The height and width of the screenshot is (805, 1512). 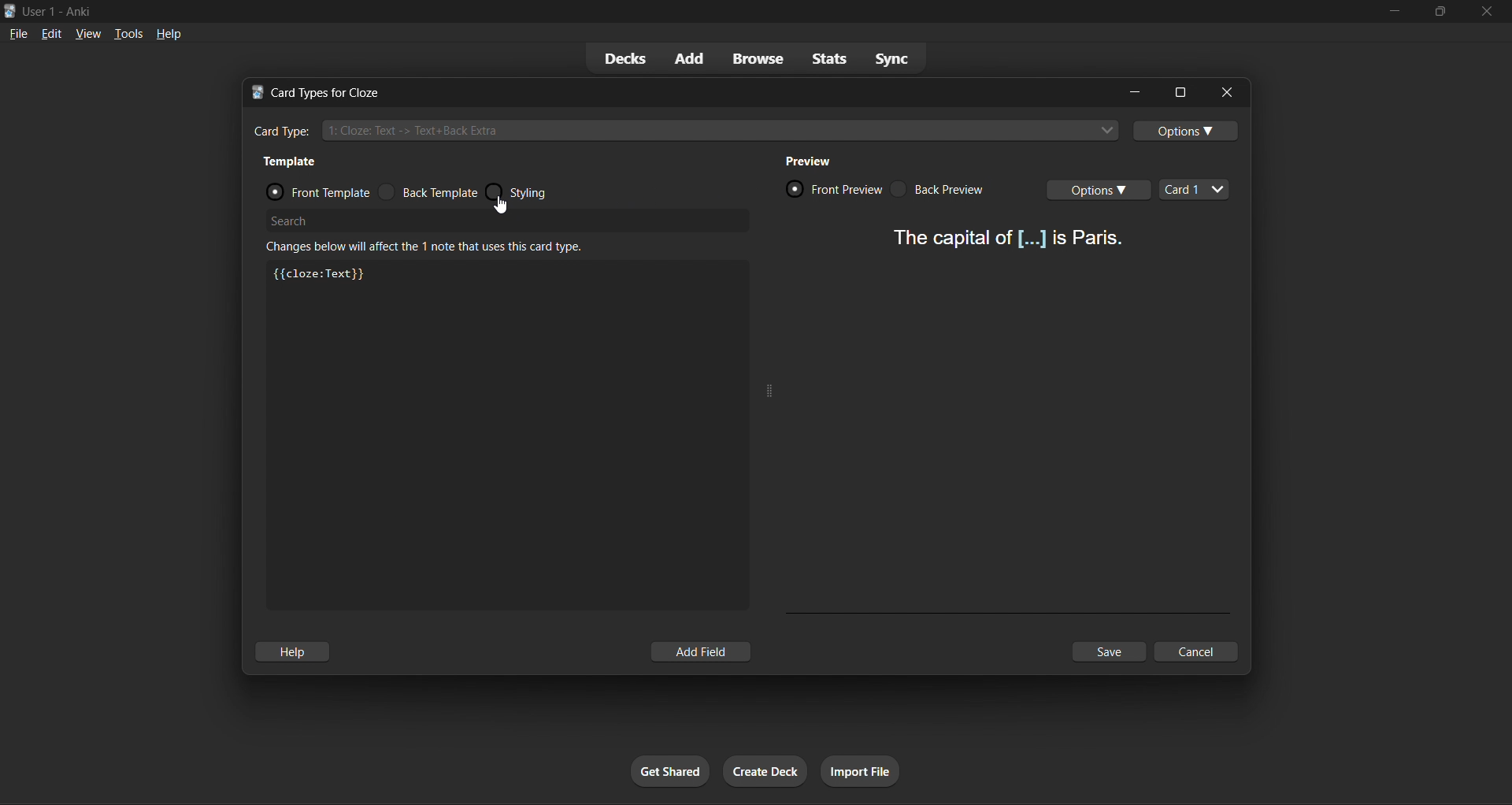 What do you see at coordinates (689, 57) in the screenshot?
I see `add` at bounding box center [689, 57].